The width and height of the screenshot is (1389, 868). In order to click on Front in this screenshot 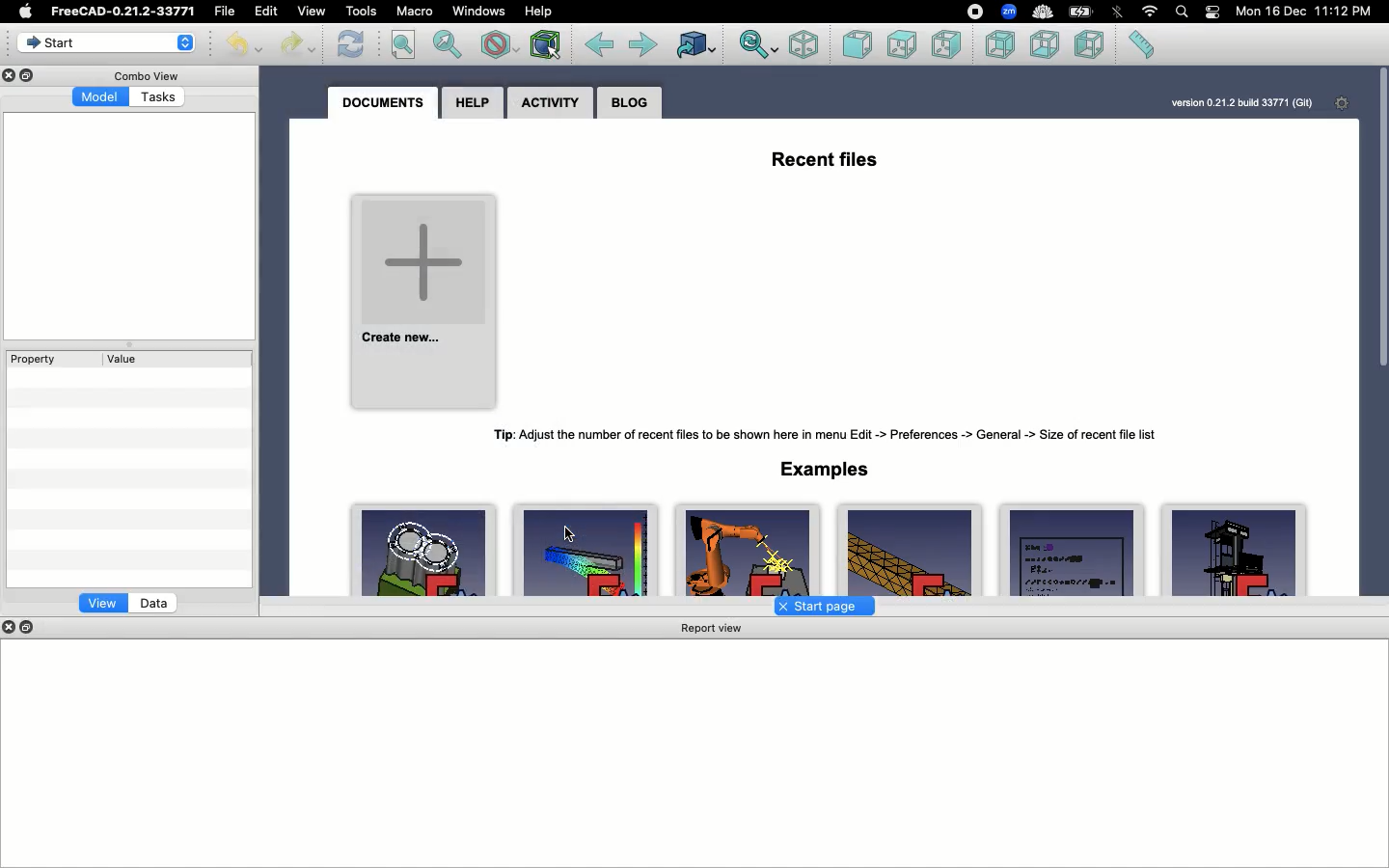, I will do `click(859, 43)`.